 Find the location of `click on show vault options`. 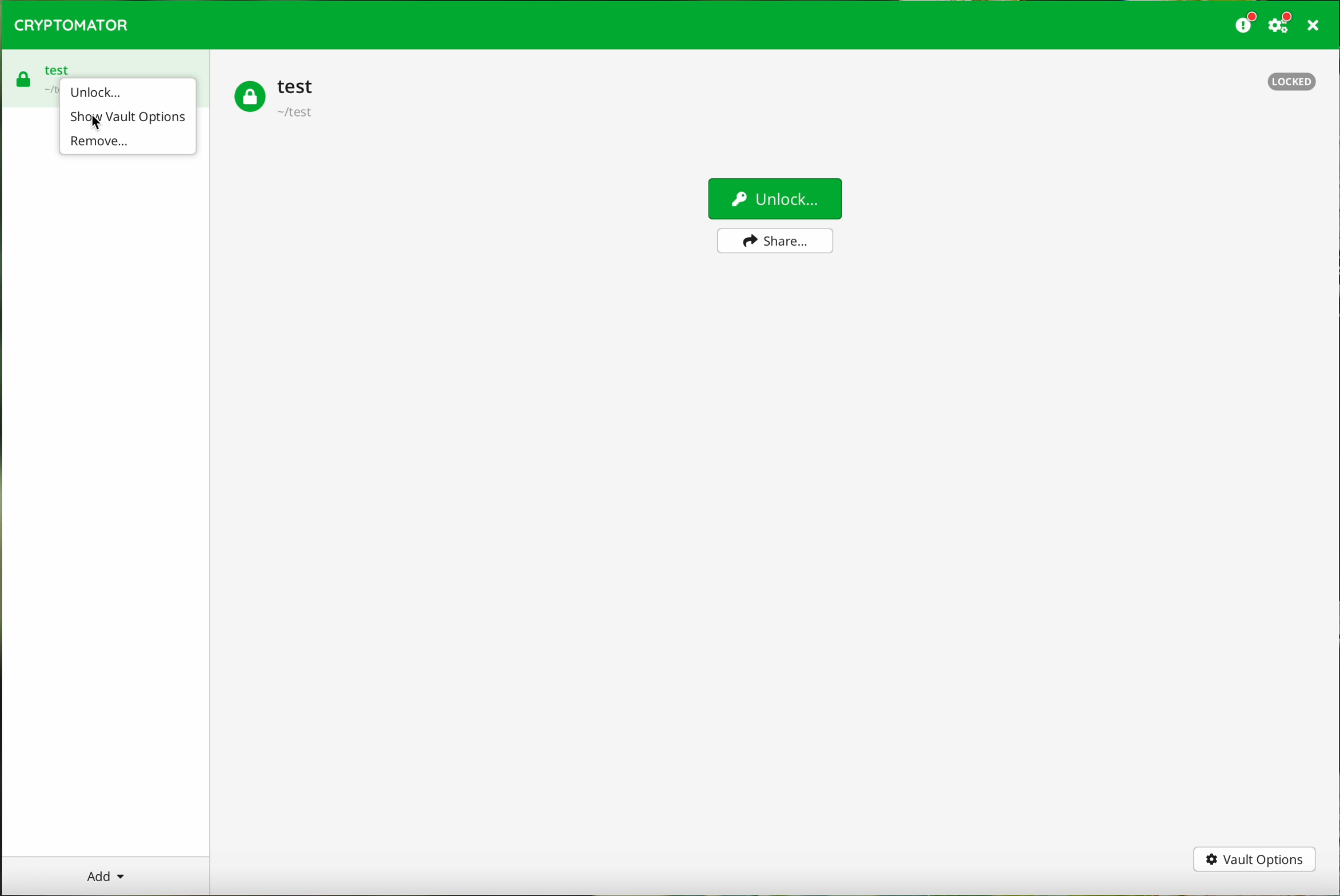

click on show vault options is located at coordinates (128, 117).